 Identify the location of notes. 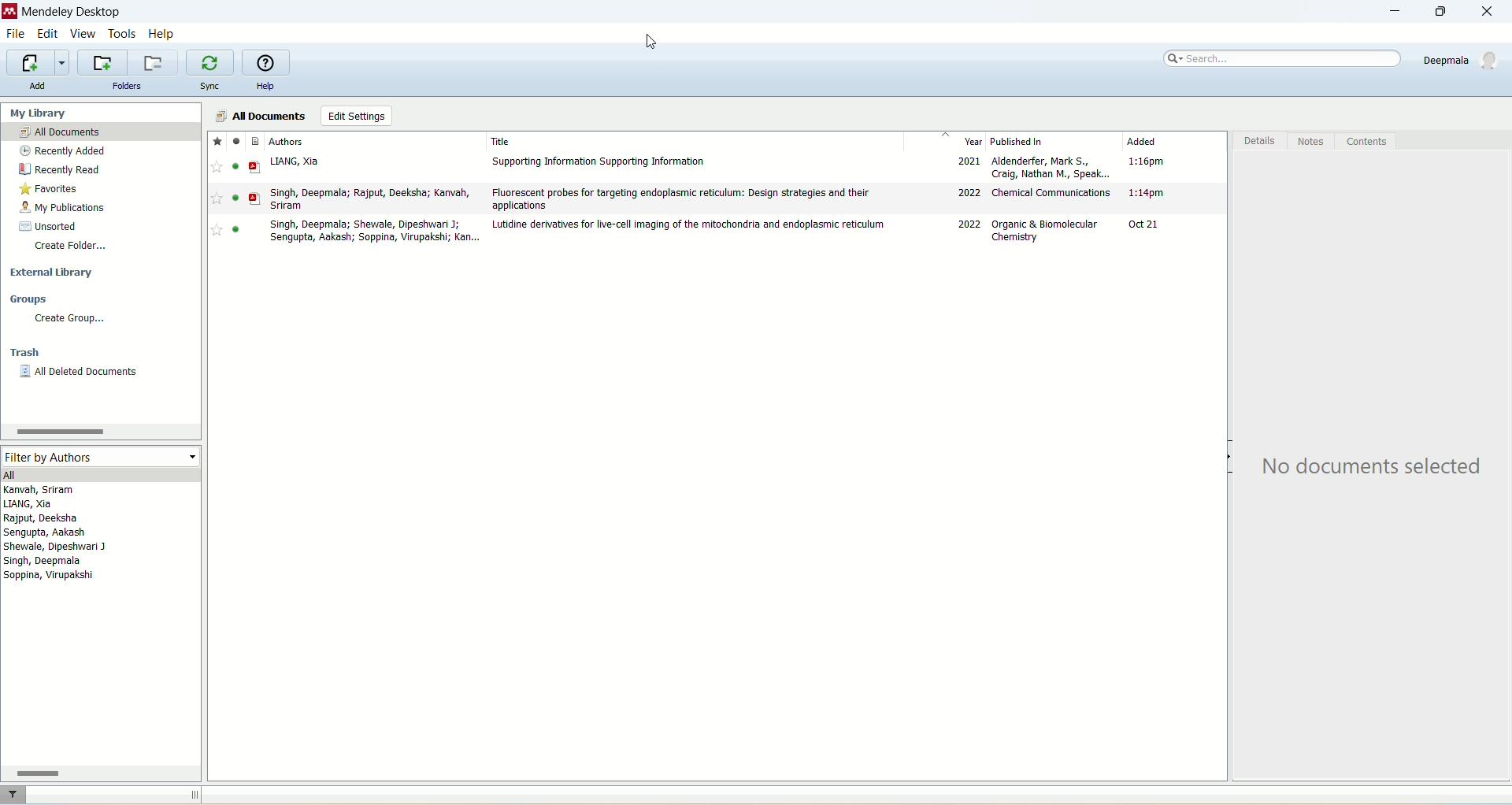
(1316, 143).